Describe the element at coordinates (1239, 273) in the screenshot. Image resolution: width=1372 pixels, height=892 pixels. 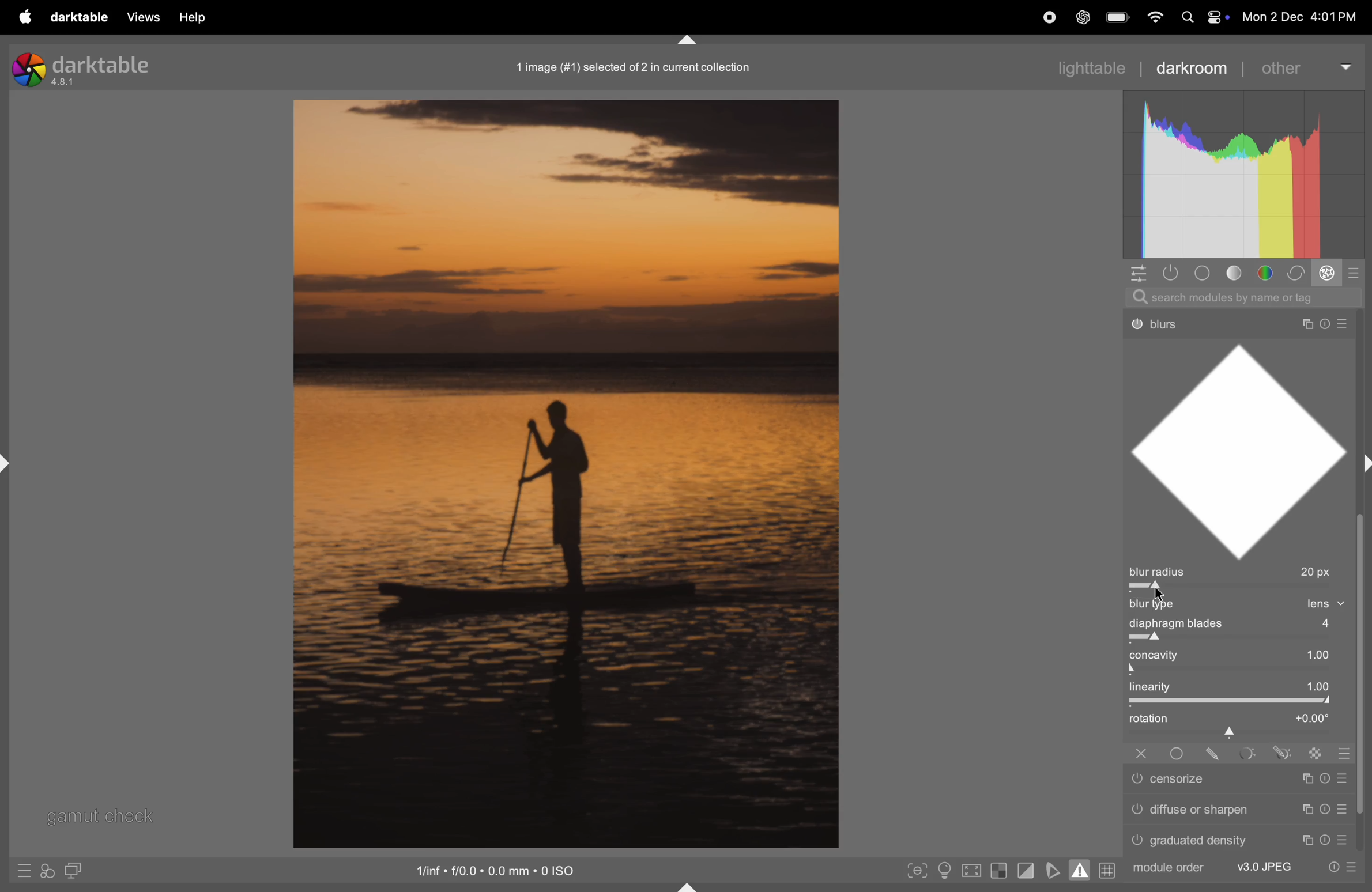
I see `tone` at that location.